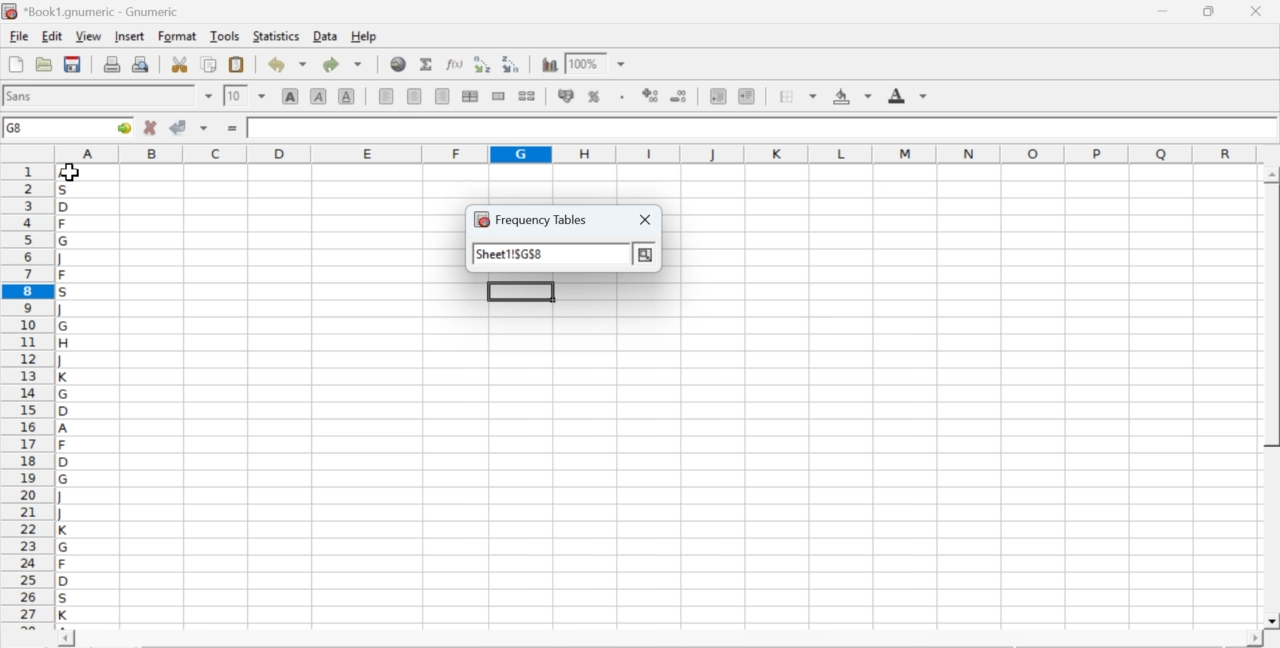  What do you see at coordinates (347, 95) in the screenshot?
I see `underline` at bounding box center [347, 95].